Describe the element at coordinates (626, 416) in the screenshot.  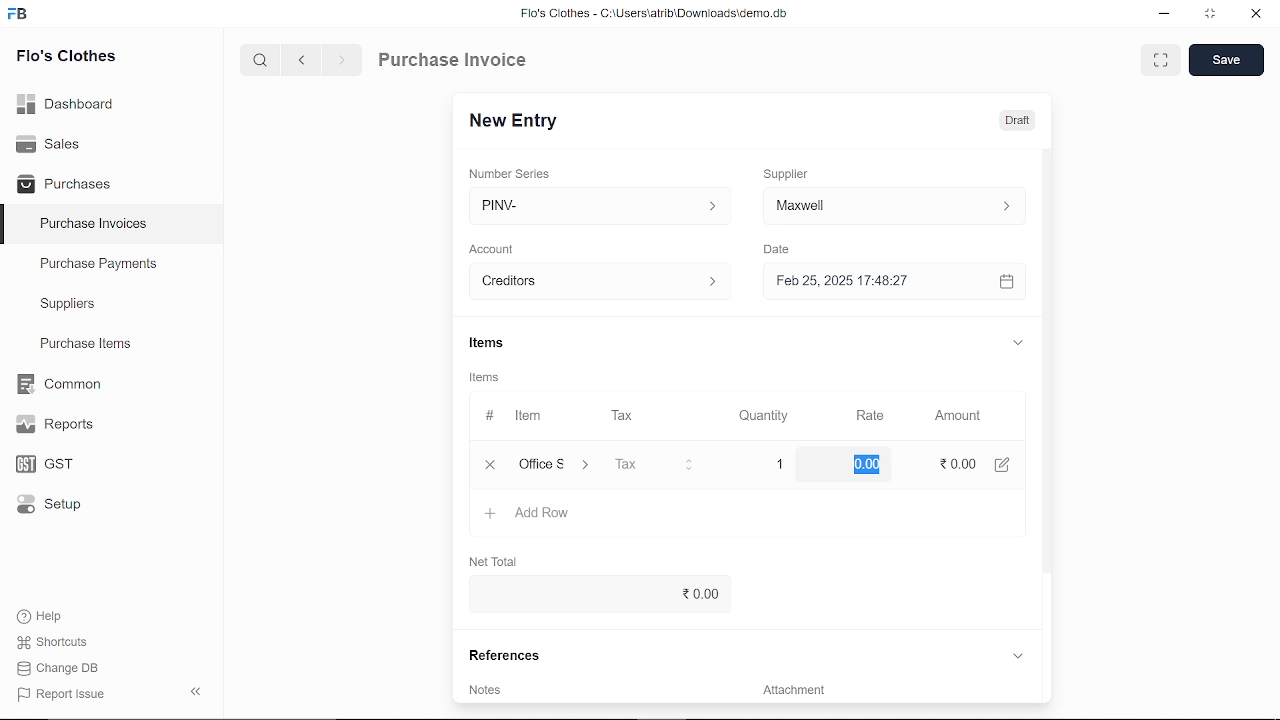
I see `Tax` at that location.